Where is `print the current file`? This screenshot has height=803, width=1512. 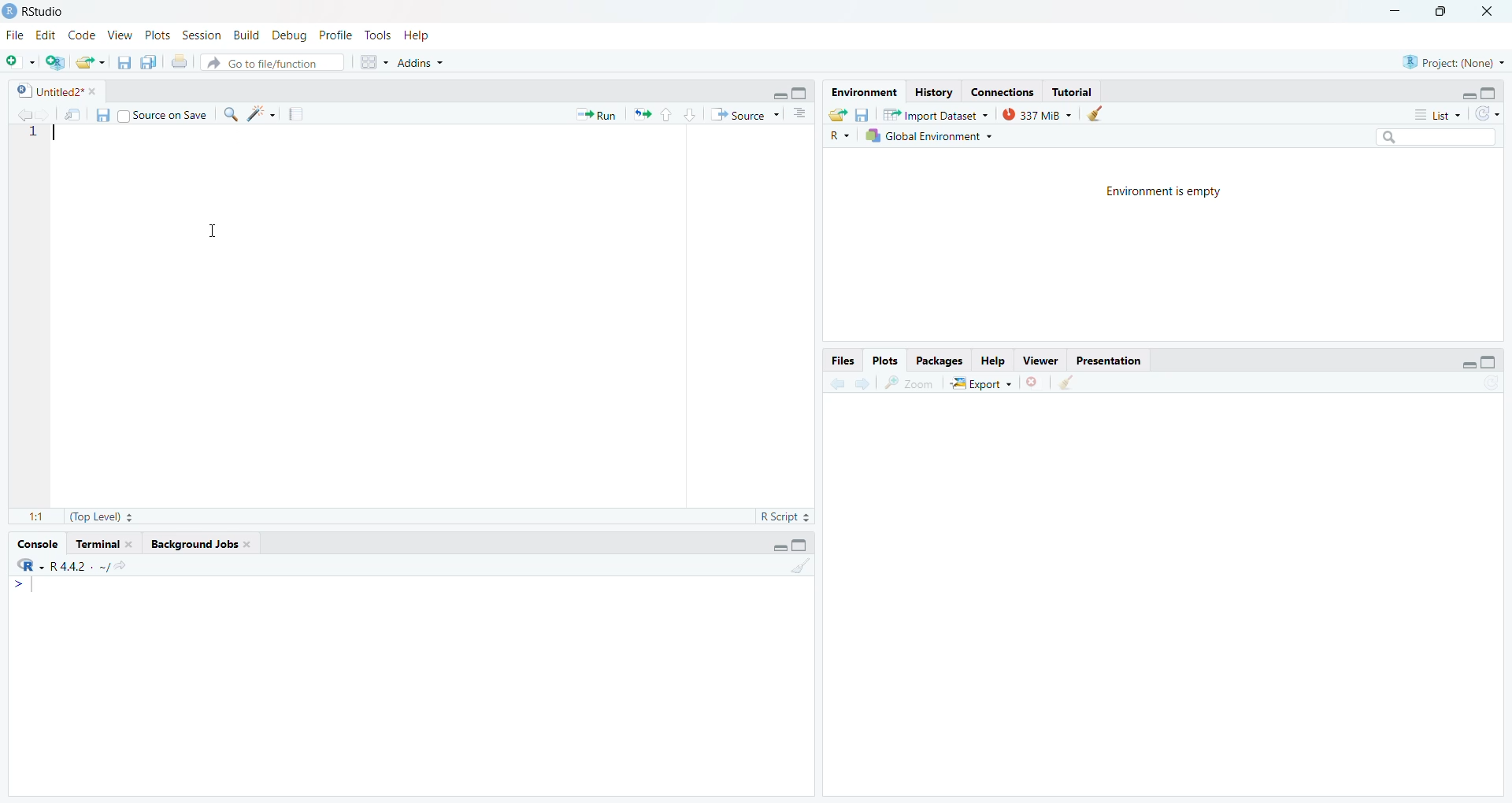
print the current file is located at coordinates (179, 62).